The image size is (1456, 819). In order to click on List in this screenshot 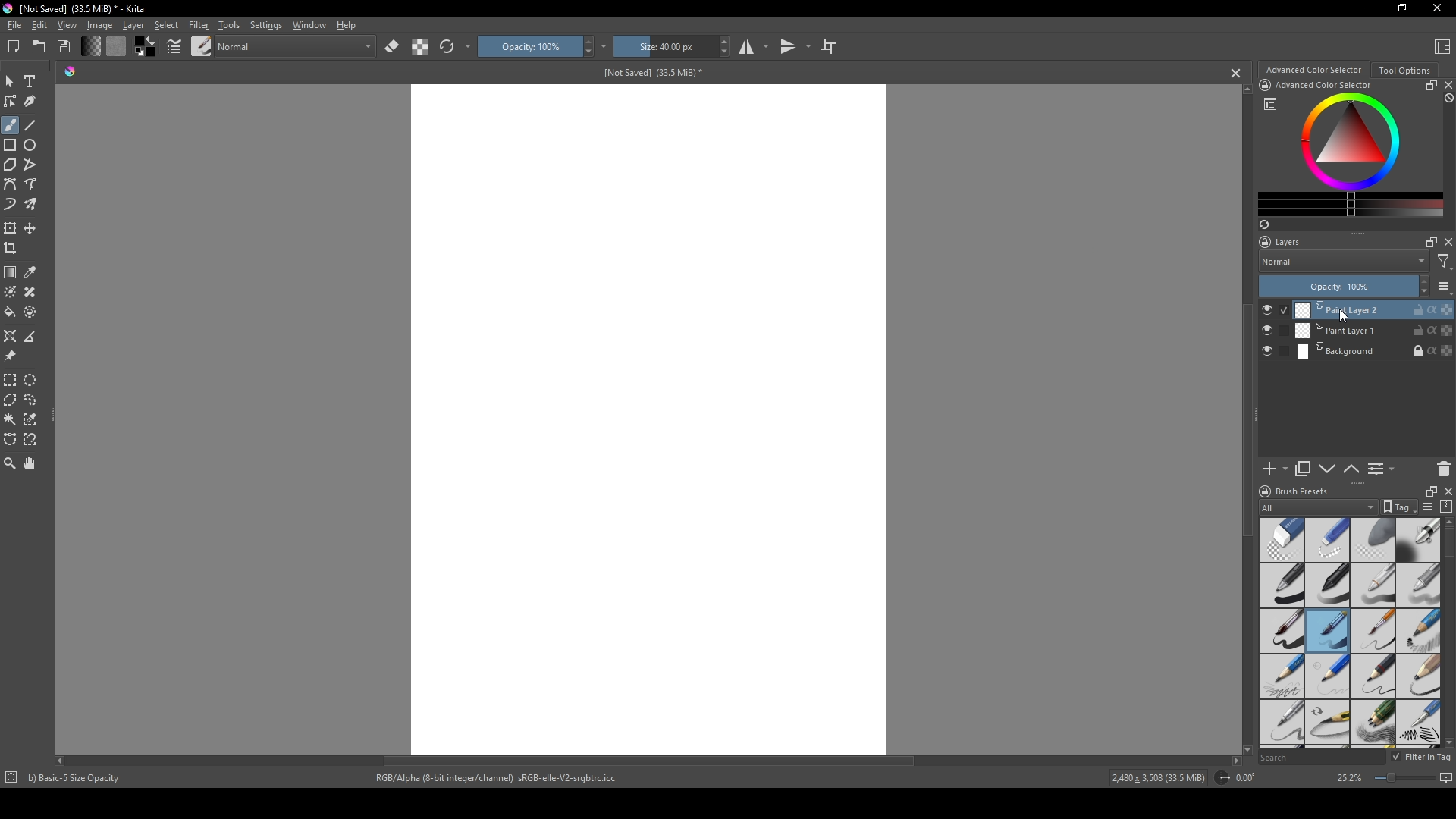, I will do `click(1384, 469)`.